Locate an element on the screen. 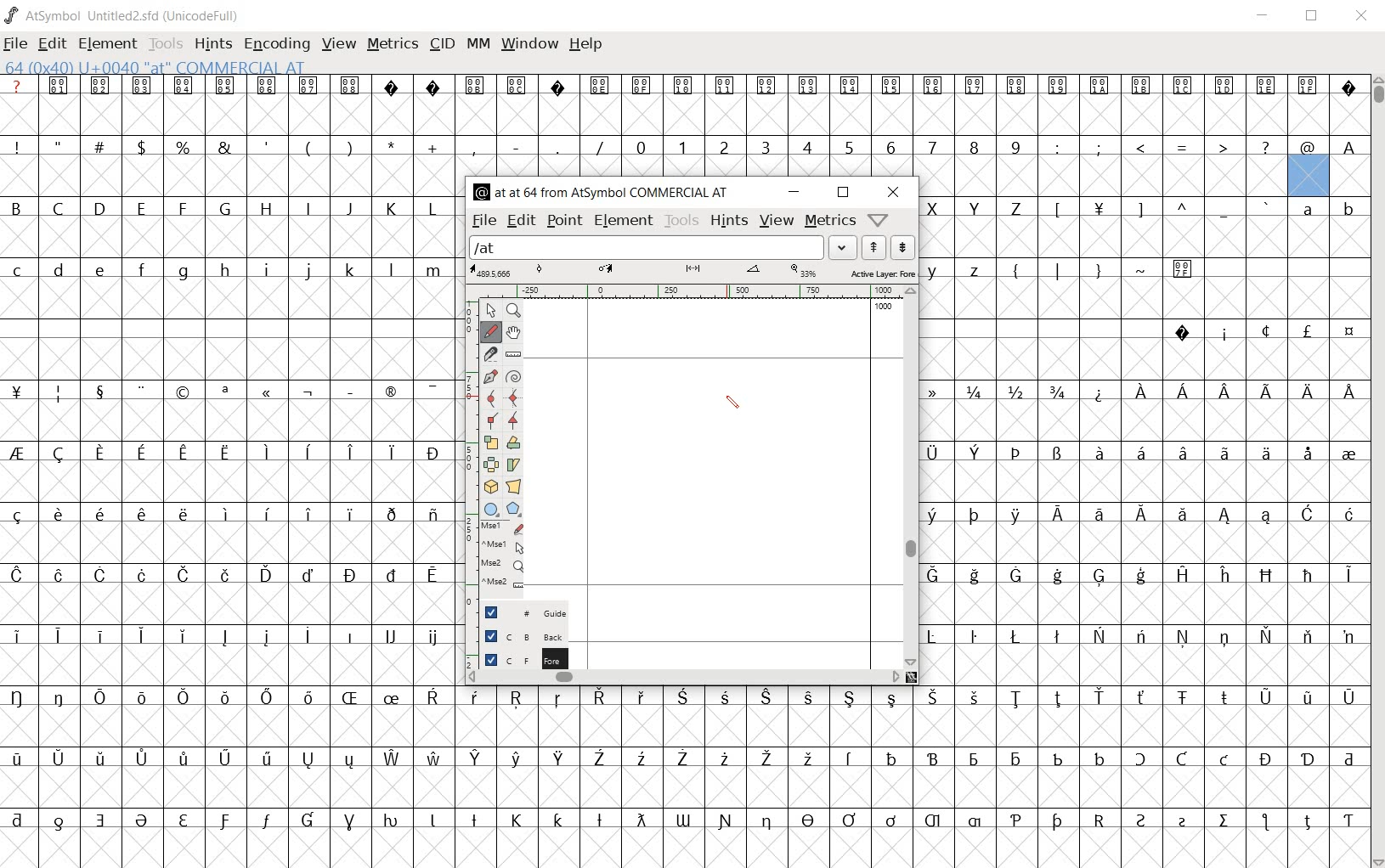 The image size is (1385, 868). active layer: foreground is located at coordinates (692, 272).